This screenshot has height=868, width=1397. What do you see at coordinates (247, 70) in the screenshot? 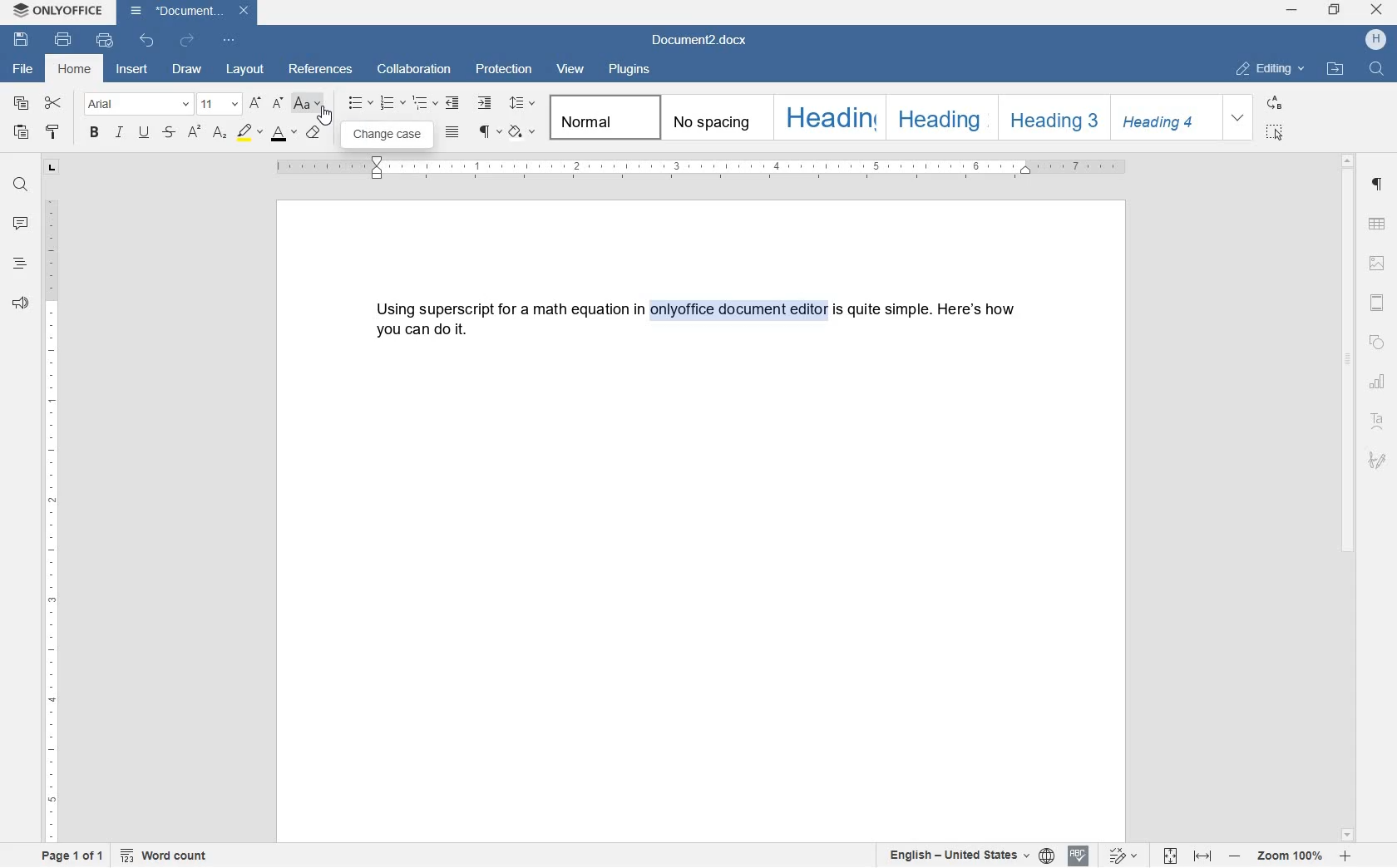
I see `layout` at bounding box center [247, 70].